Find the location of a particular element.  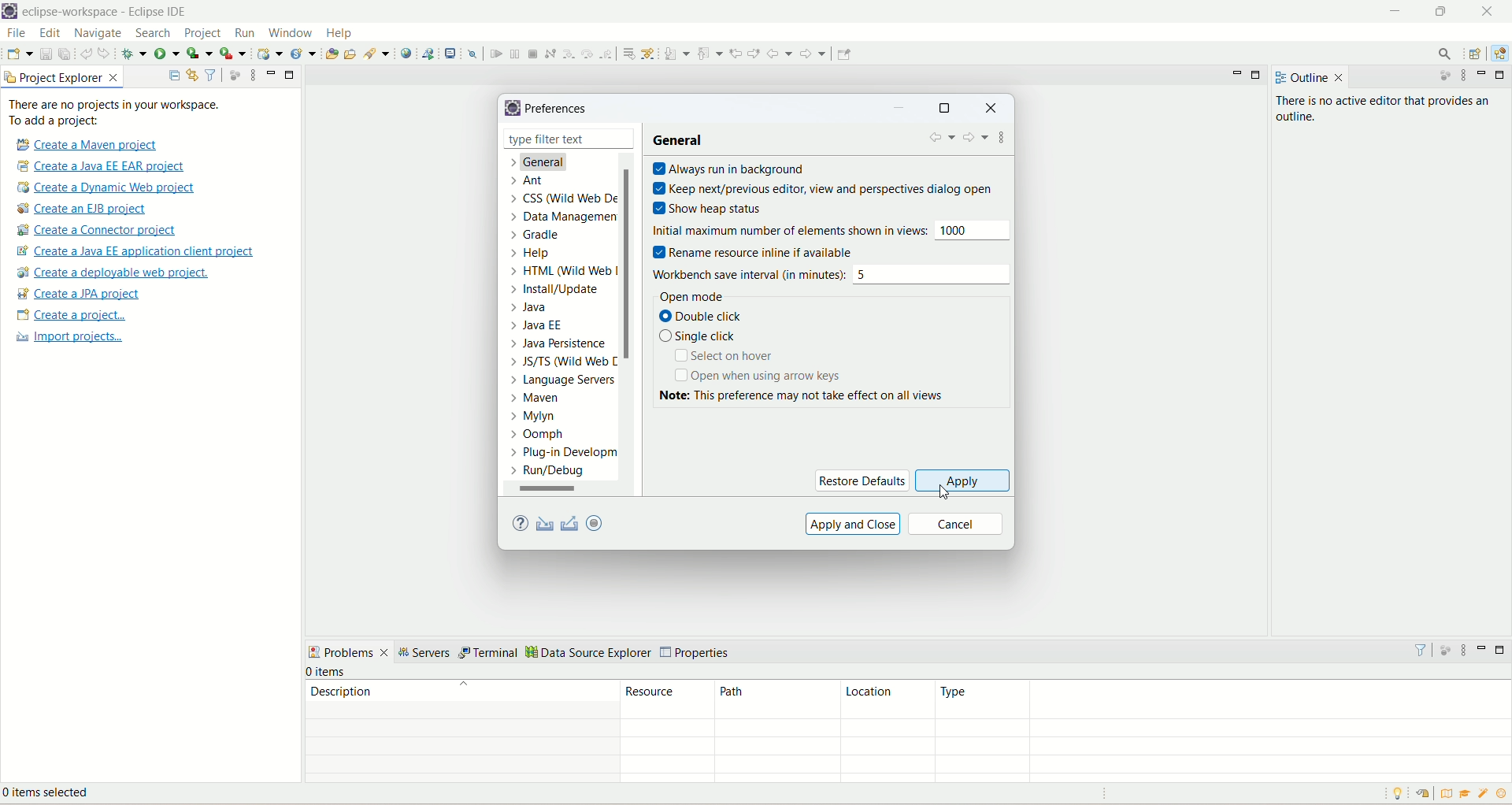

create a project is located at coordinates (69, 316).